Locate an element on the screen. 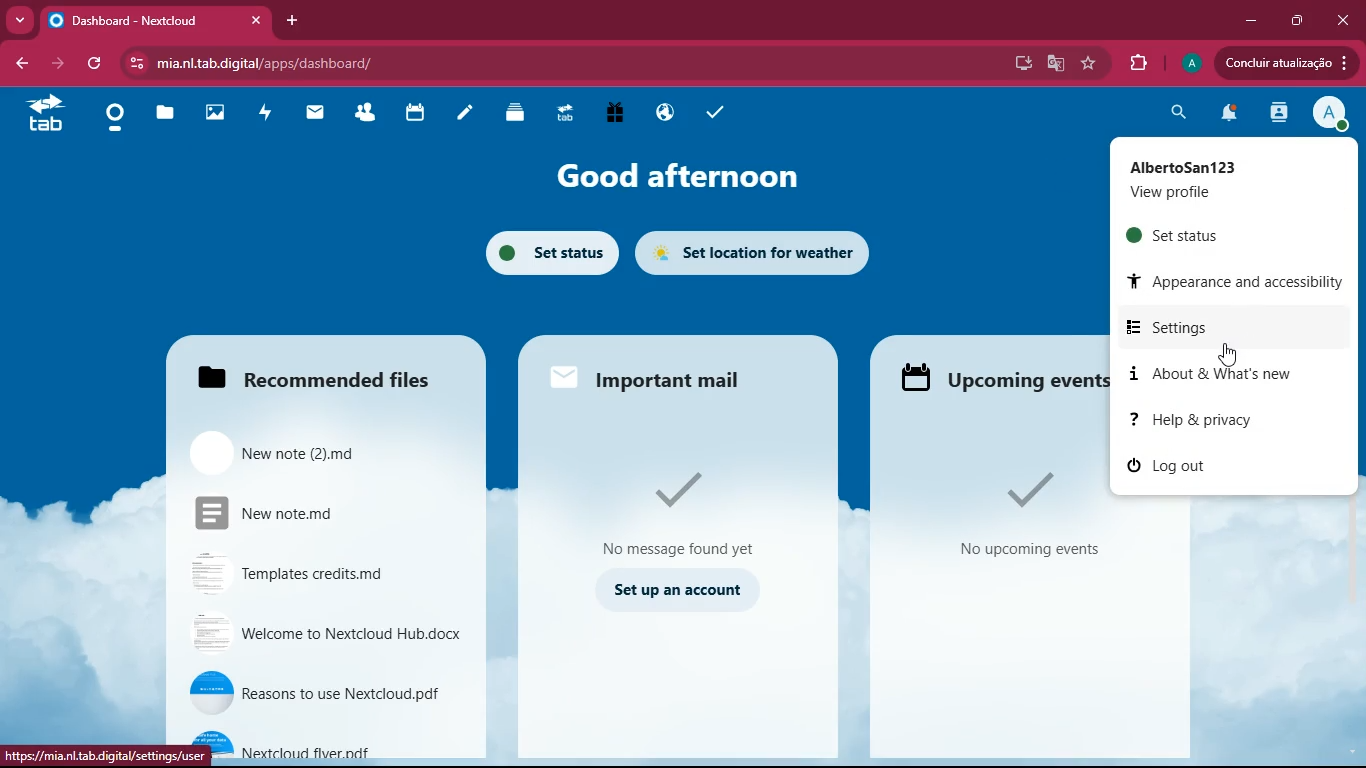 The height and width of the screenshot is (768, 1366). refresh is located at coordinates (98, 62).